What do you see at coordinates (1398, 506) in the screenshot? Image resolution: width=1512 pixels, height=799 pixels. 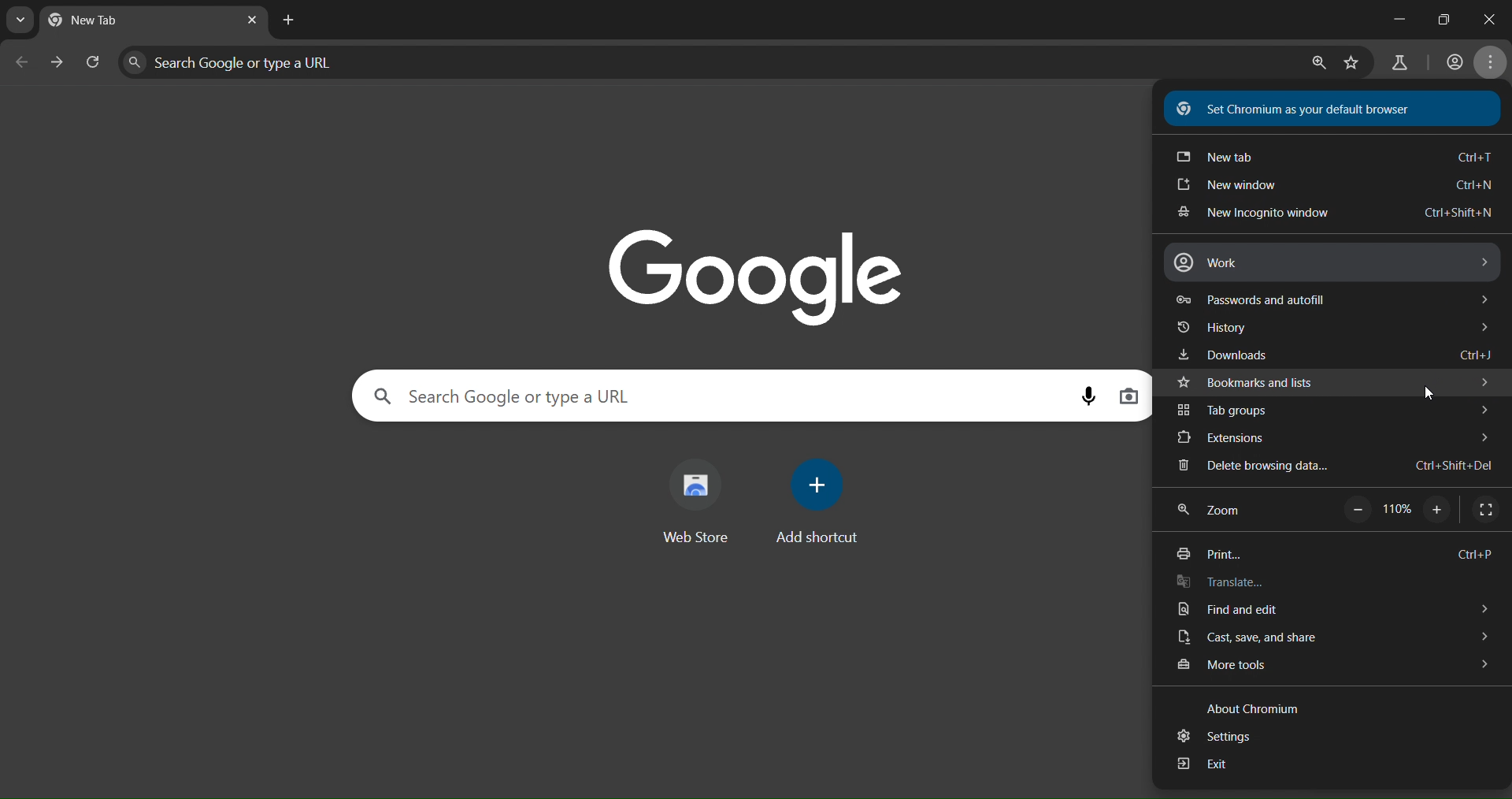 I see `100%` at bounding box center [1398, 506].